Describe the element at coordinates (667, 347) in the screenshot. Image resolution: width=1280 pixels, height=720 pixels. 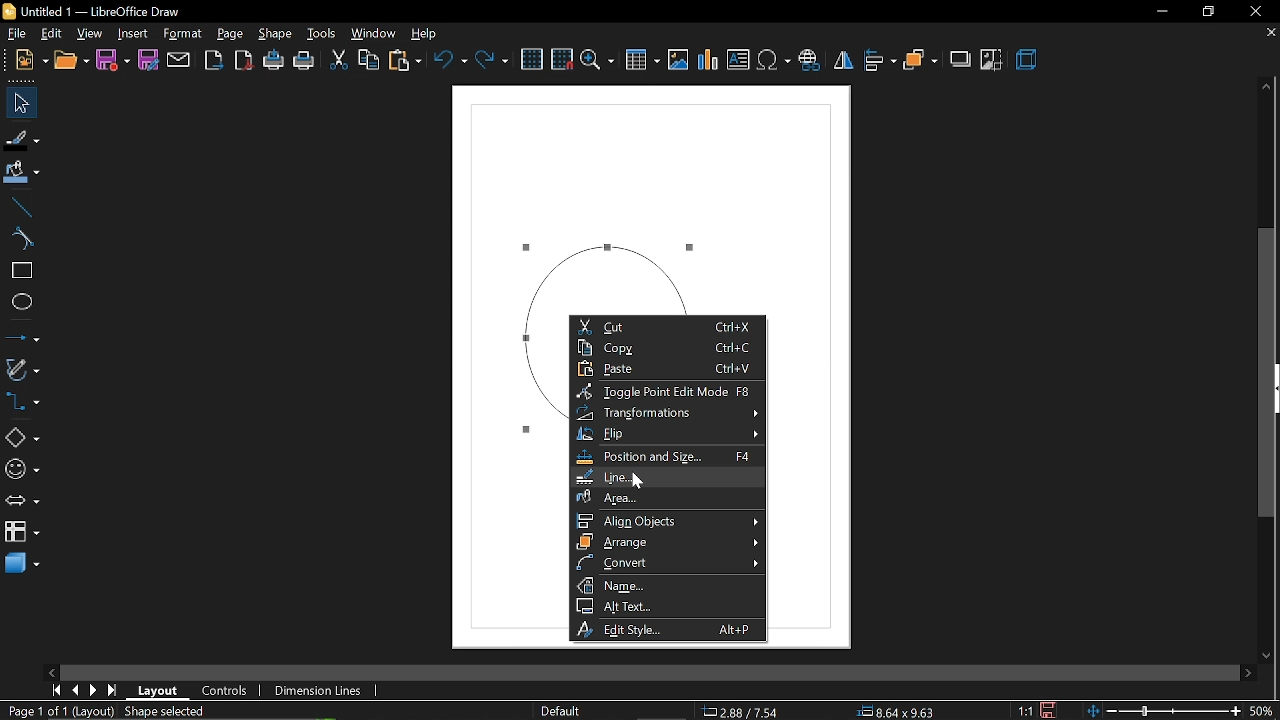
I see `copy` at that location.